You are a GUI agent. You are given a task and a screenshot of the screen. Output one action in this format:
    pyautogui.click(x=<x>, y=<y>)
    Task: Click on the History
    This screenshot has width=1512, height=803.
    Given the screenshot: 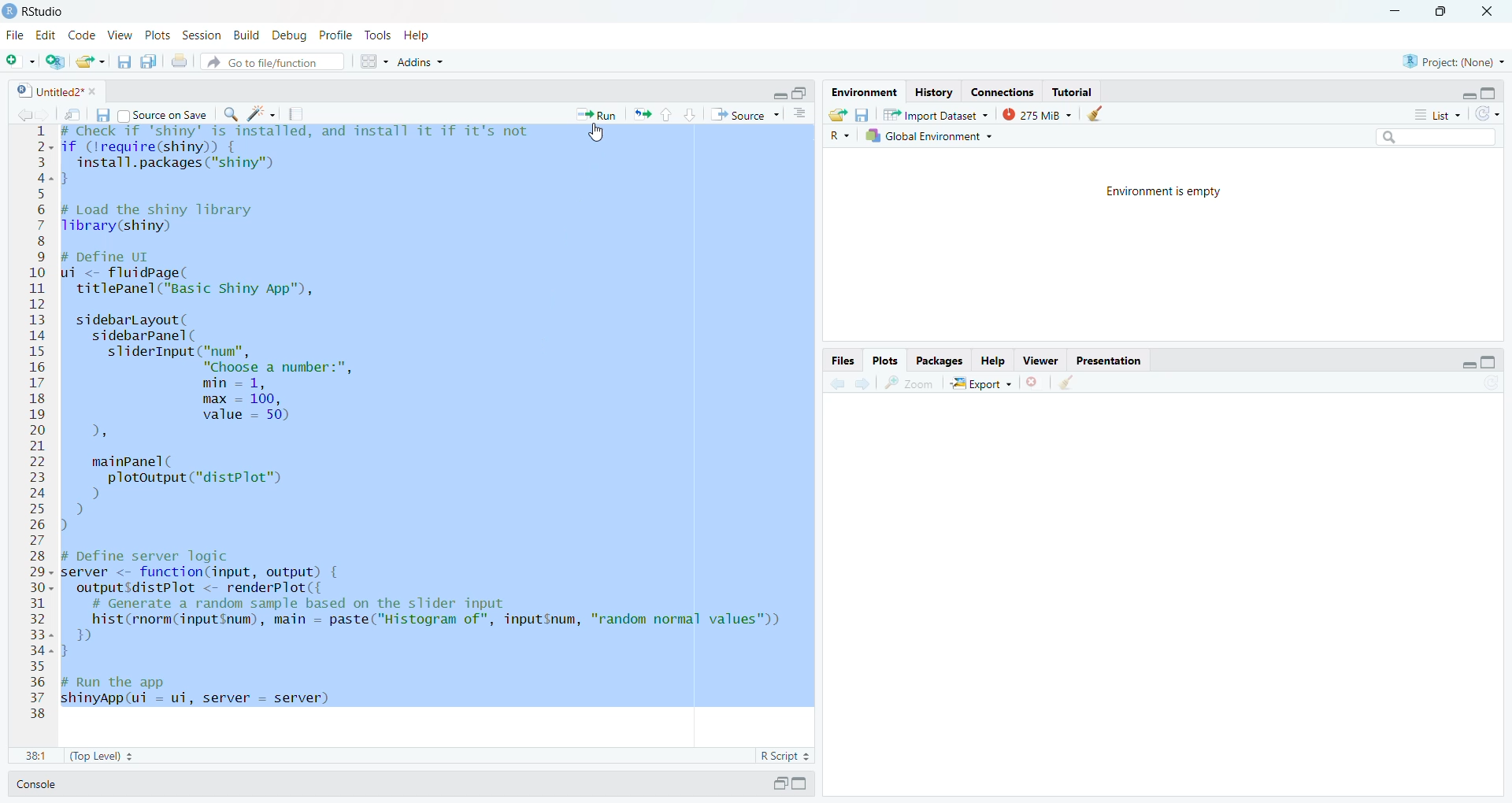 What is the action you would take?
    pyautogui.click(x=934, y=94)
    